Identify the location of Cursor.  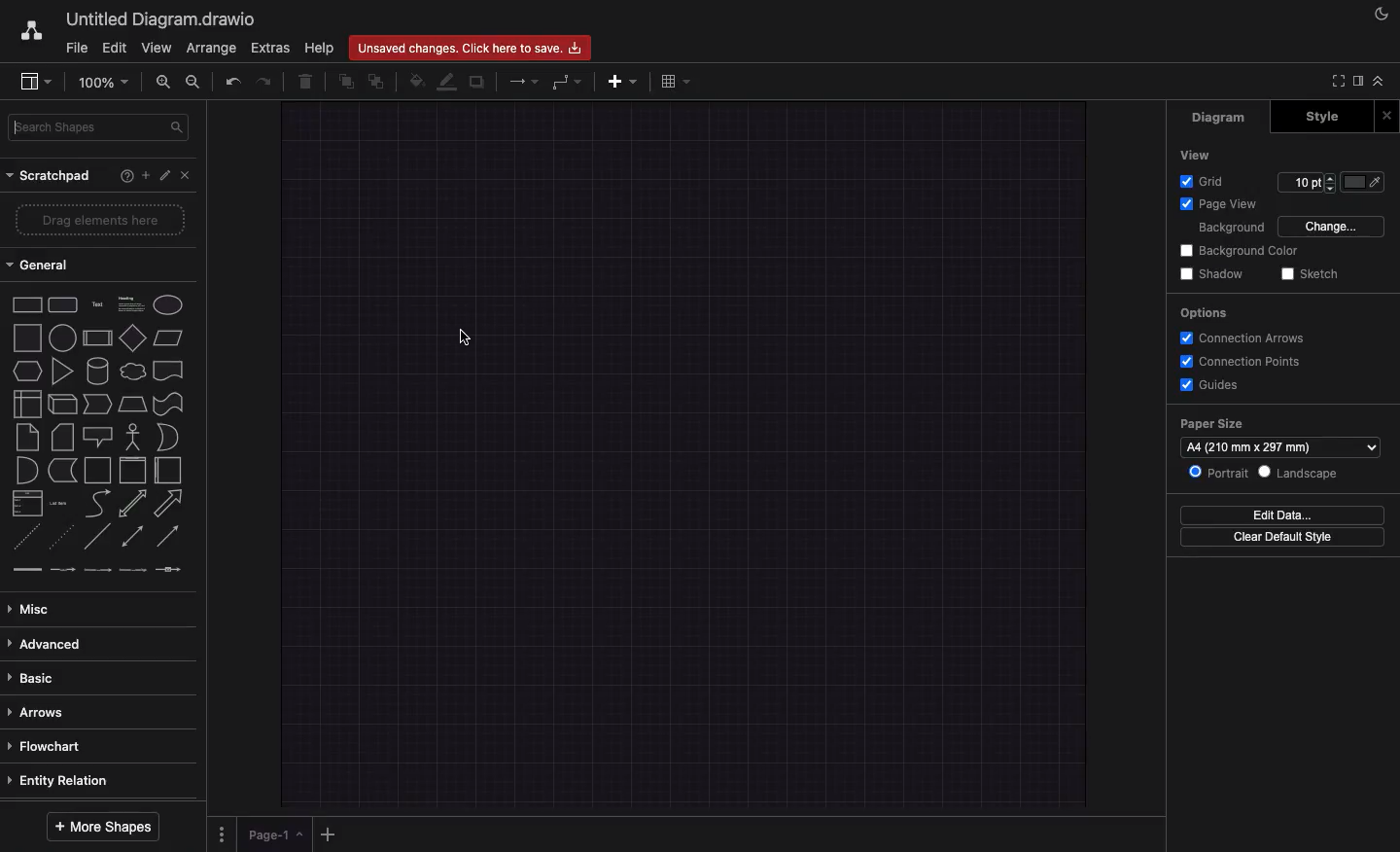
(464, 340).